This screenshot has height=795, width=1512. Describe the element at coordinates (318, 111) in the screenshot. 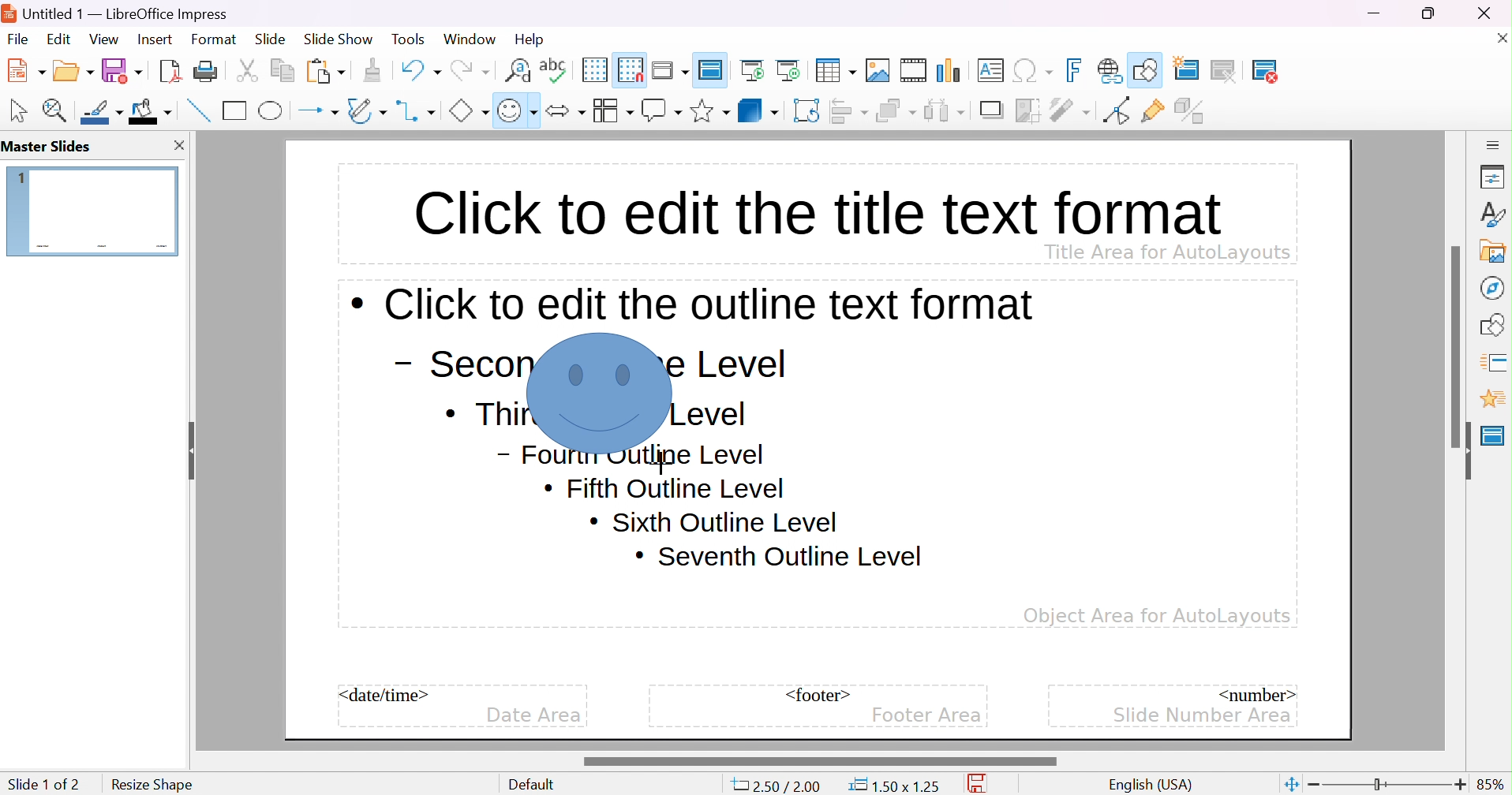

I see `lines and arrows` at that location.